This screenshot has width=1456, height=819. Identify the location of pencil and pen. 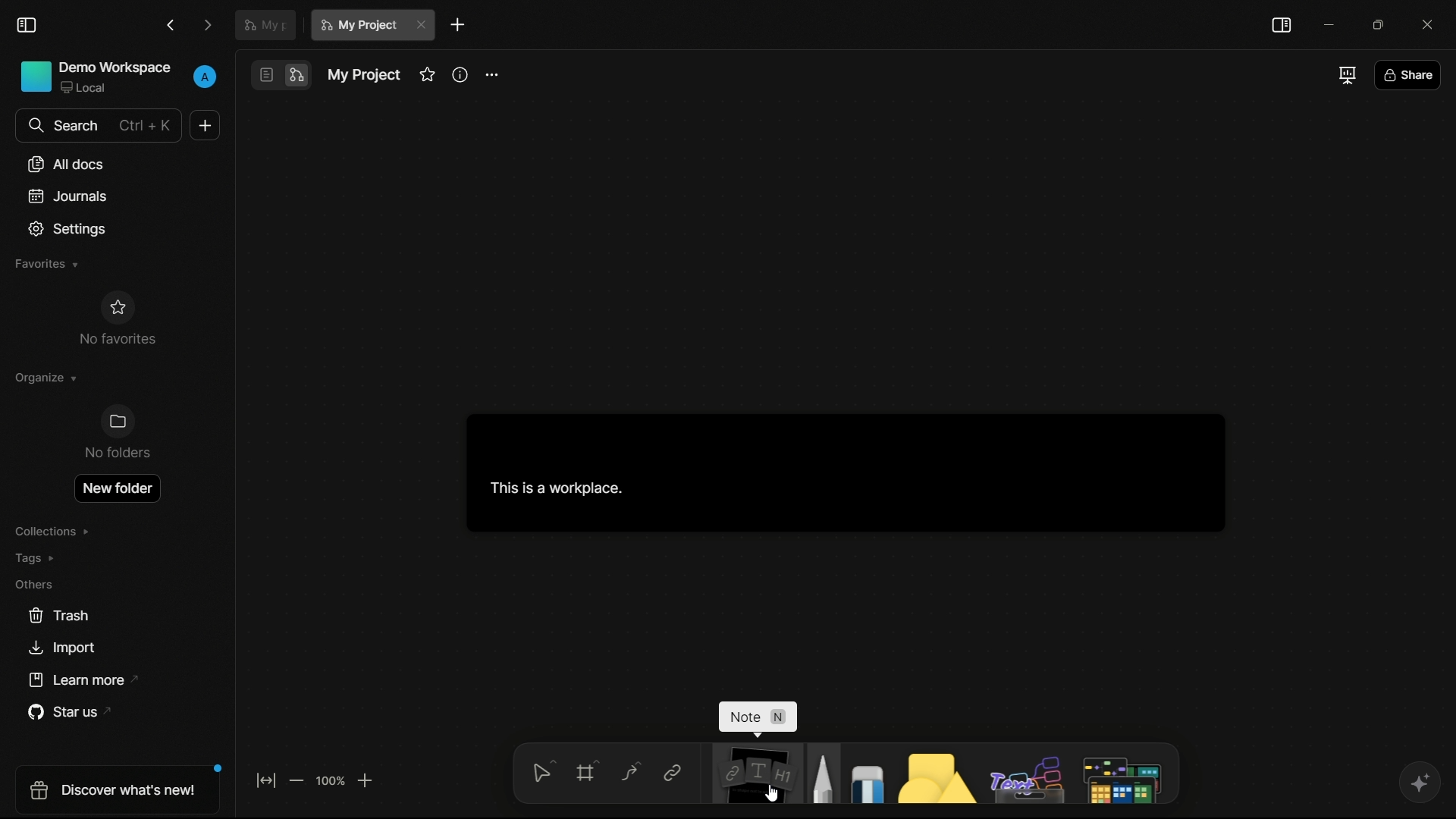
(821, 773).